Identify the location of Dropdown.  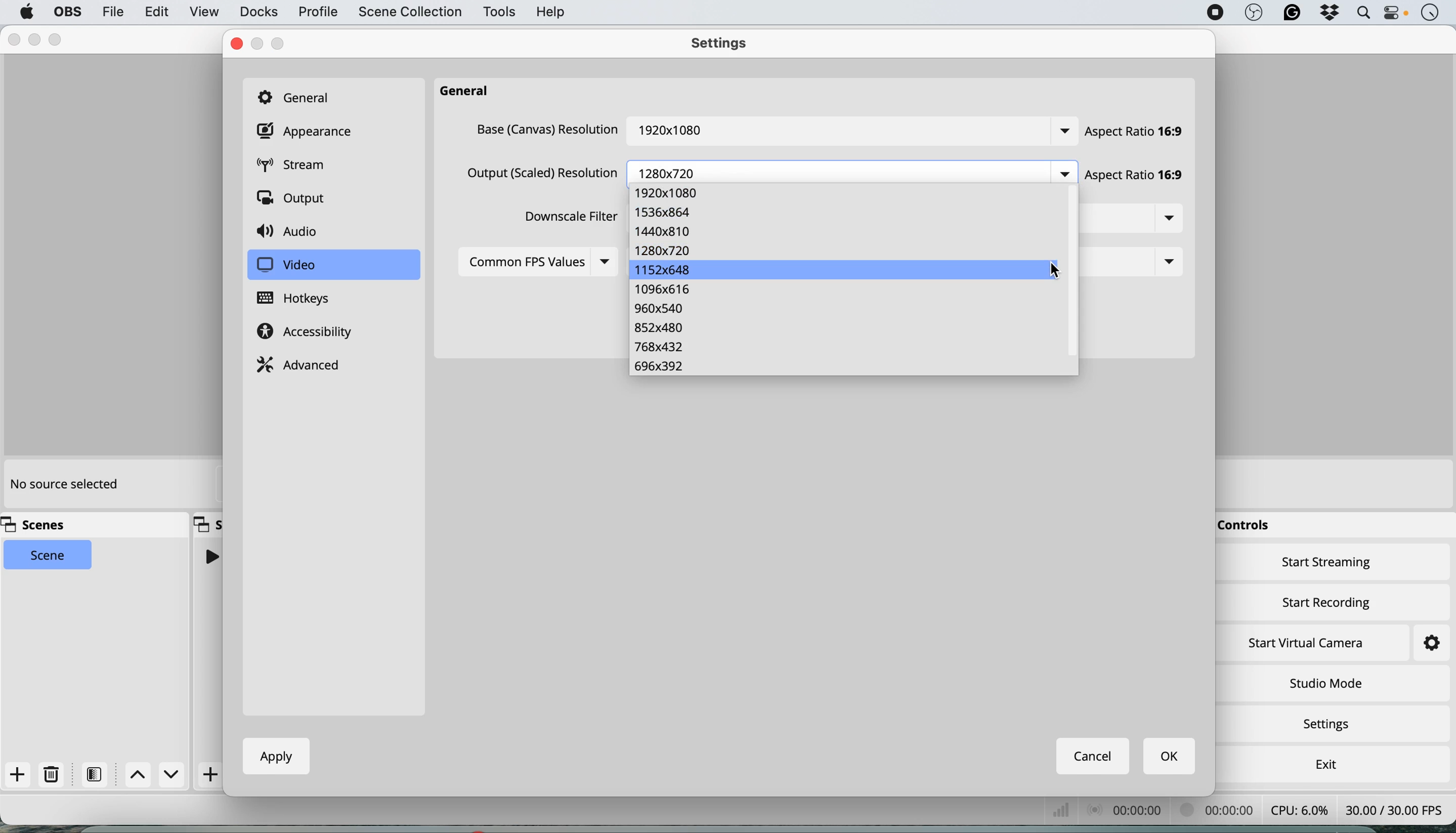
(1164, 264).